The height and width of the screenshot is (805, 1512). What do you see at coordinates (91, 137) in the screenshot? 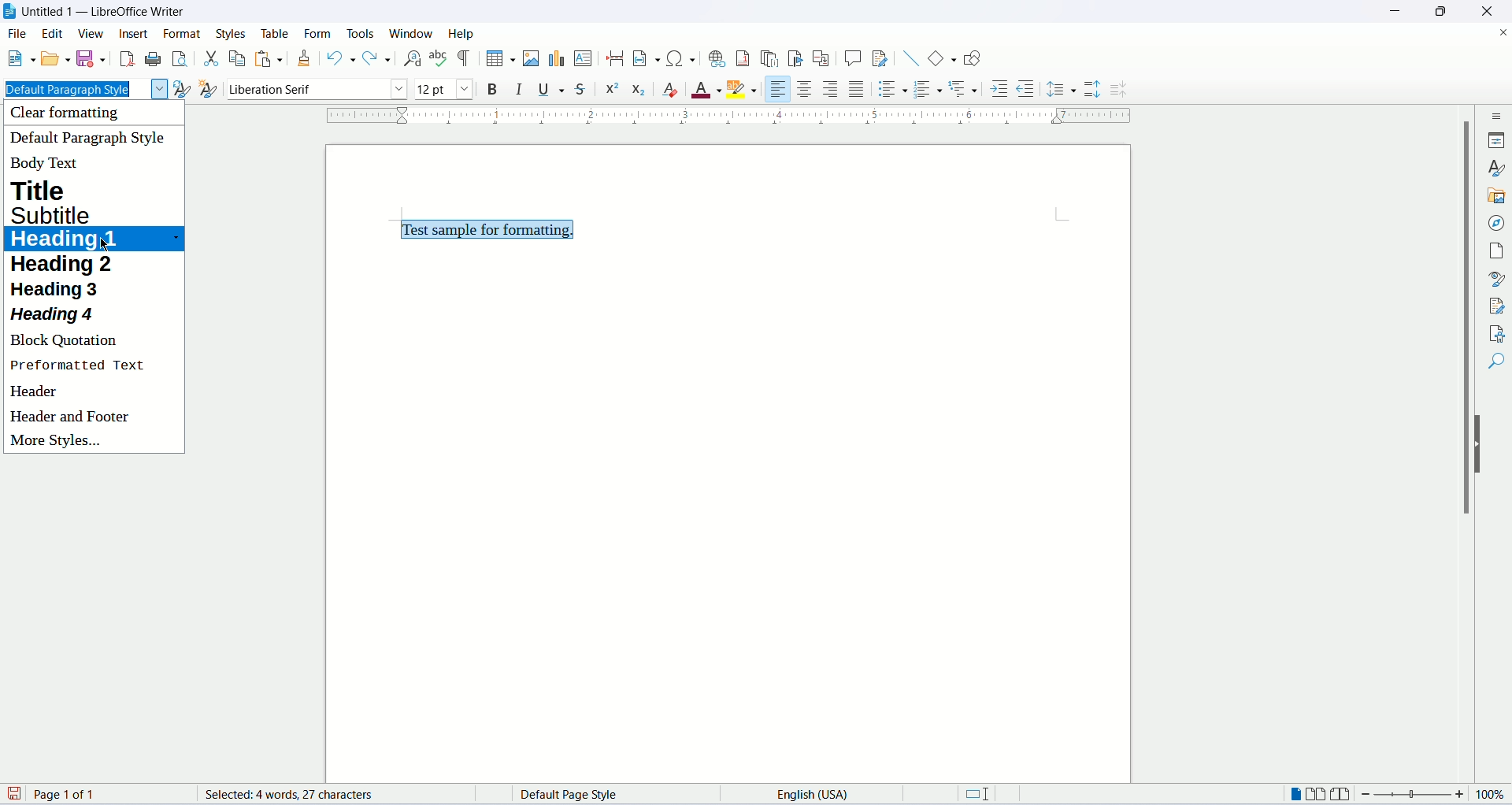
I see `default paragraph style` at bounding box center [91, 137].